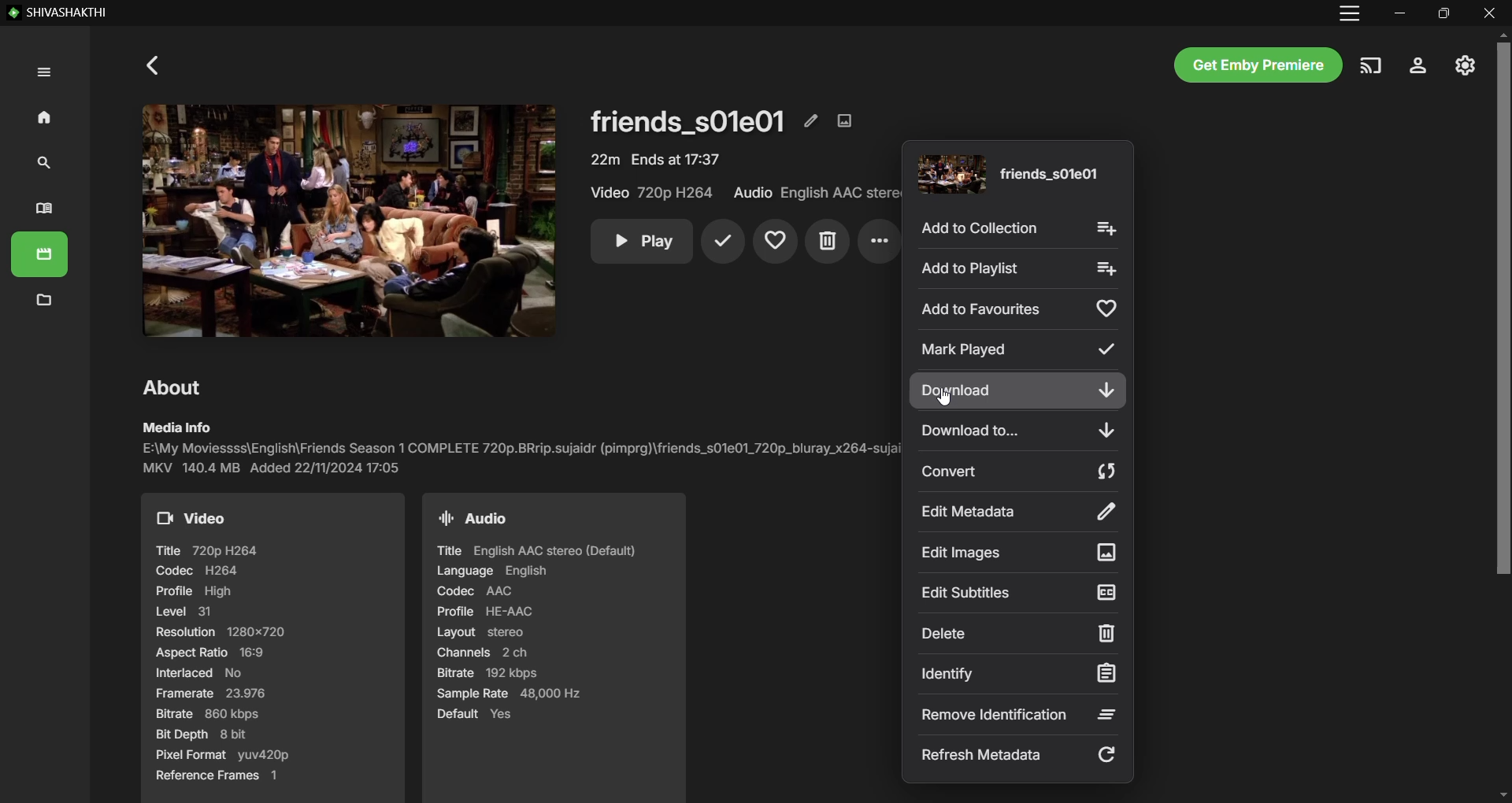 The height and width of the screenshot is (803, 1512). What do you see at coordinates (1465, 65) in the screenshot?
I see `Manage Emby Server` at bounding box center [1465, 65].